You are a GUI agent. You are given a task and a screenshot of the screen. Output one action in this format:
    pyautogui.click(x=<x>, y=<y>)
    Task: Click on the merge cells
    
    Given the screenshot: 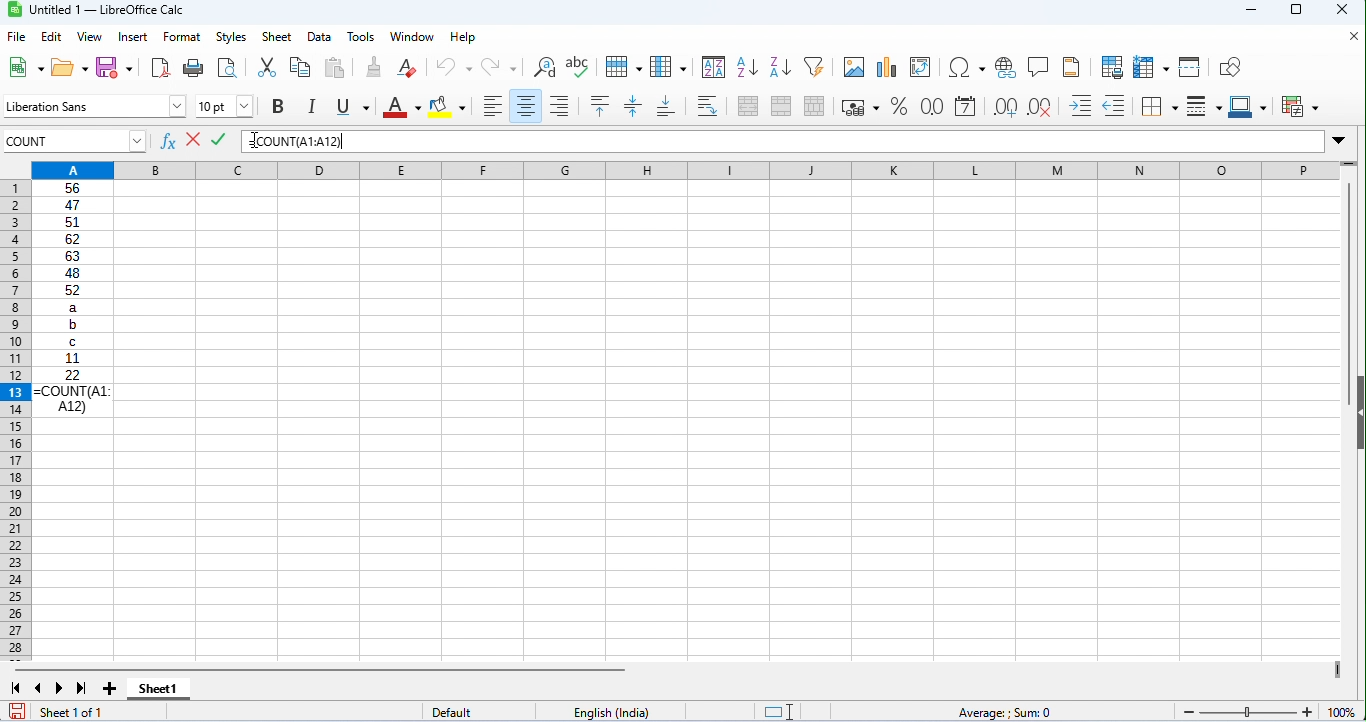 What is the action you would take?
    pyautogui.click(x=780, y=104)
    